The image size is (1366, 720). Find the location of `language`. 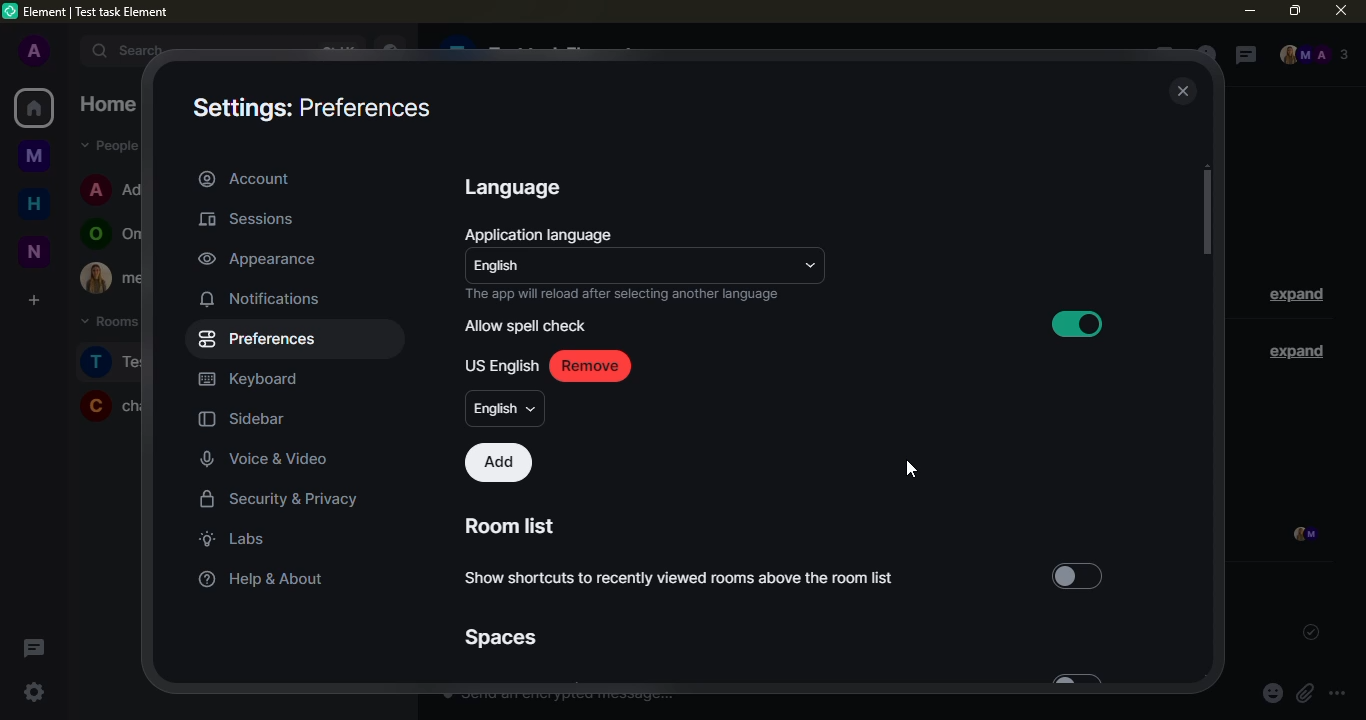

language is located at coordinates (513, 189).